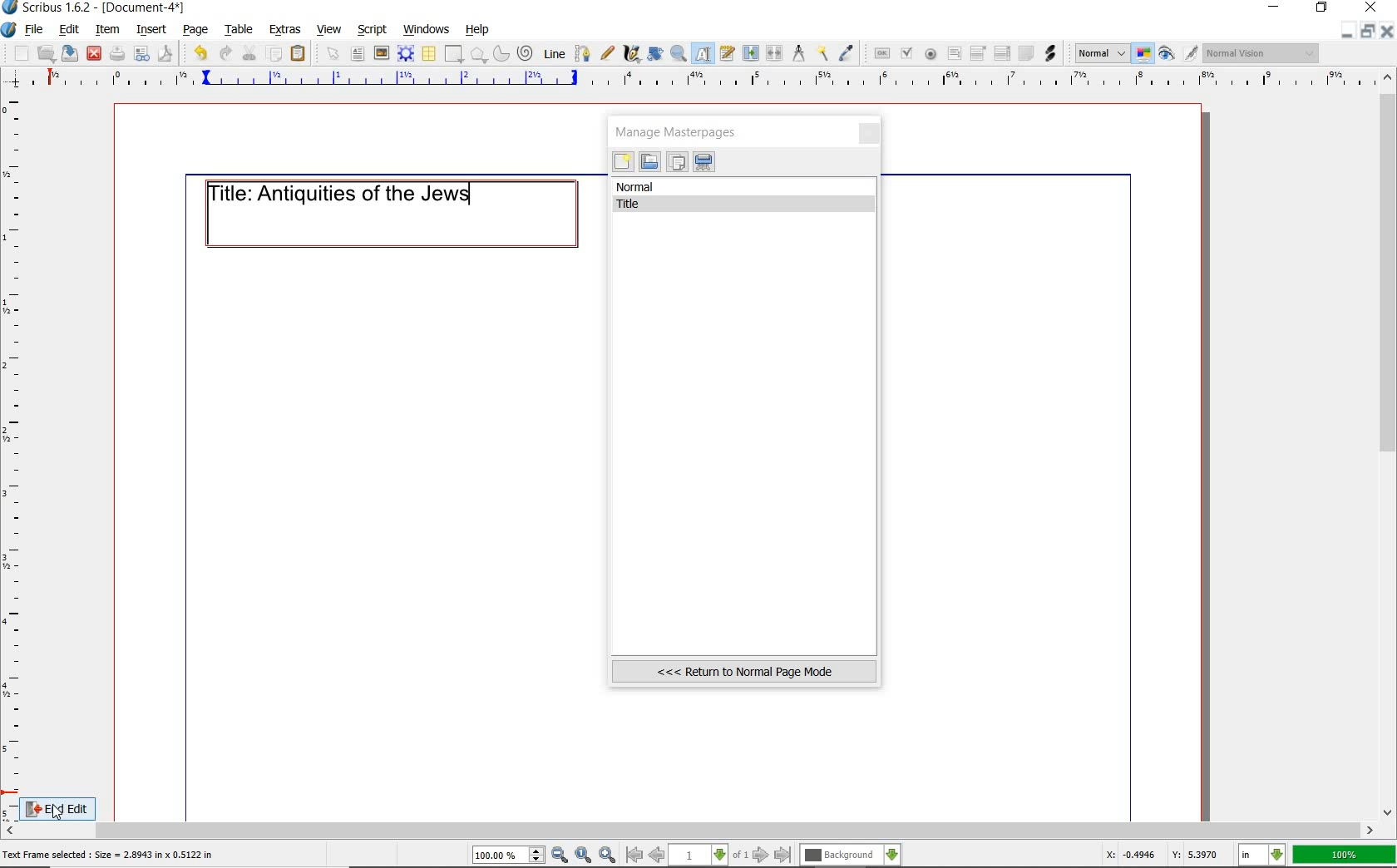 This screenshot has height=868, width=1397. I want to click on normal, so click(745, 187).